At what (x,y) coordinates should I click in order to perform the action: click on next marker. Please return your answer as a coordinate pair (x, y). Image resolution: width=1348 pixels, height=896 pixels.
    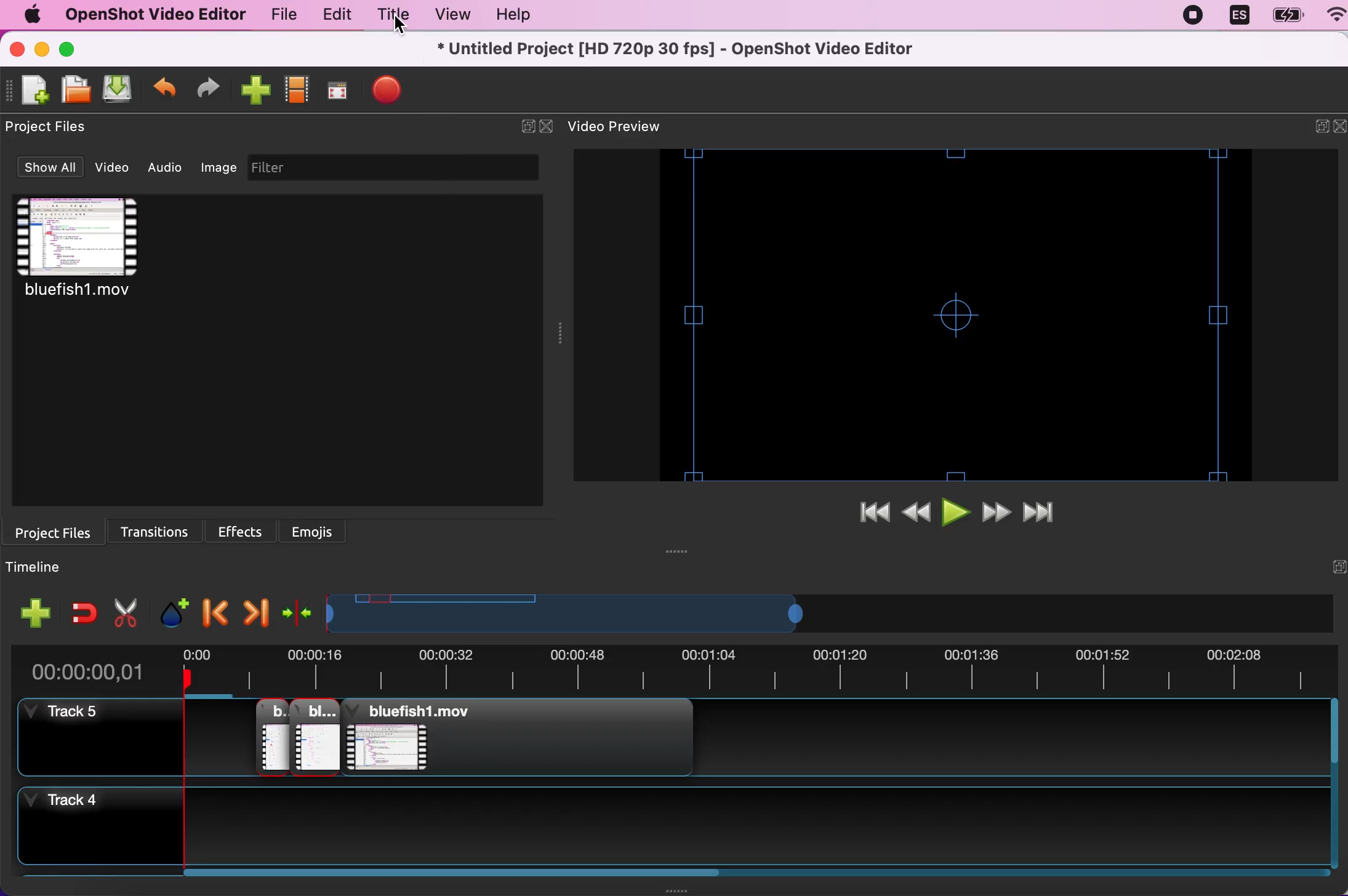
    Looking at the image, I should click on (255, 609).